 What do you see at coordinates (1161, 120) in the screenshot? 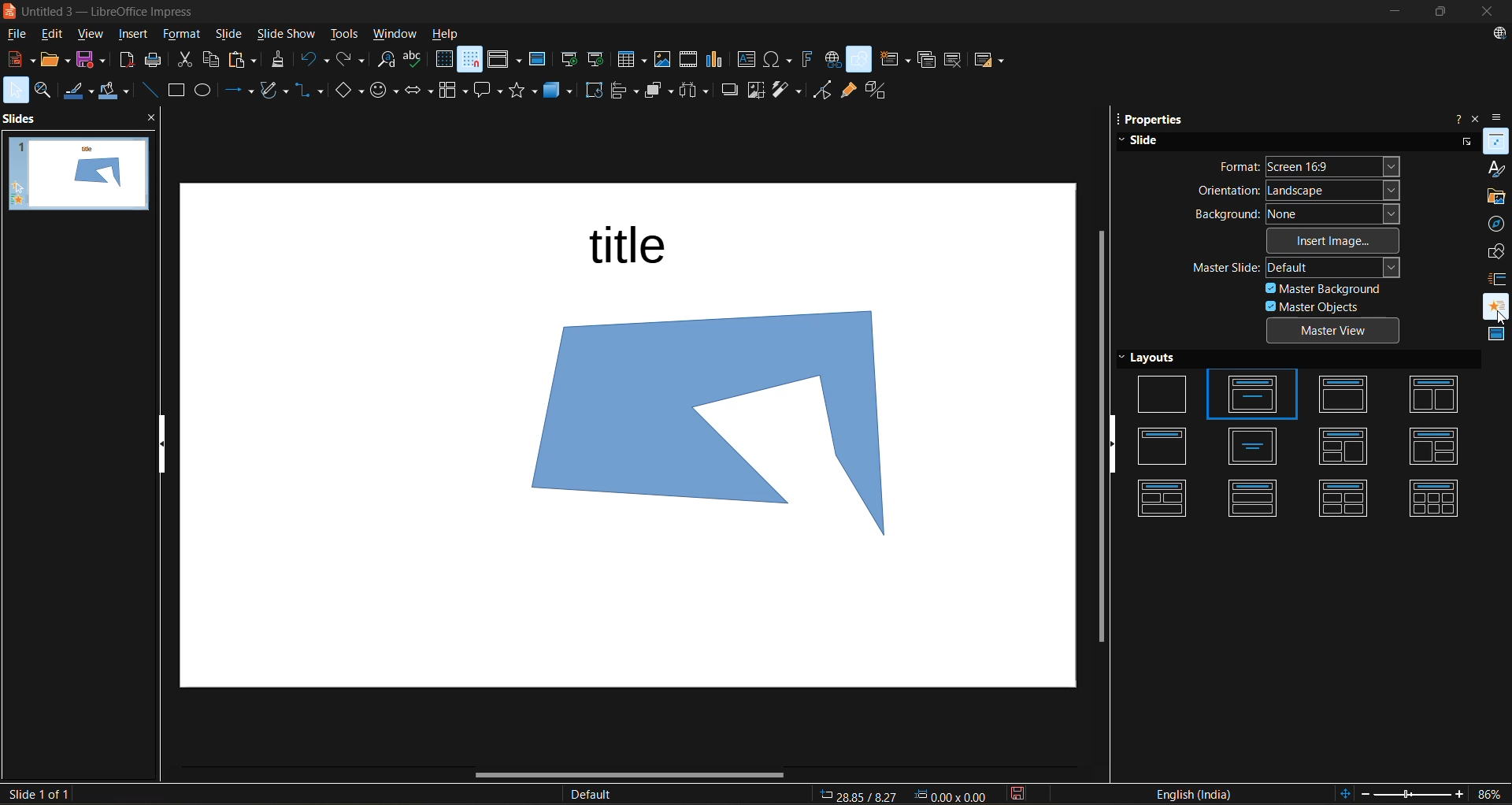
I see `properties` at bounding box center [1161, 120].